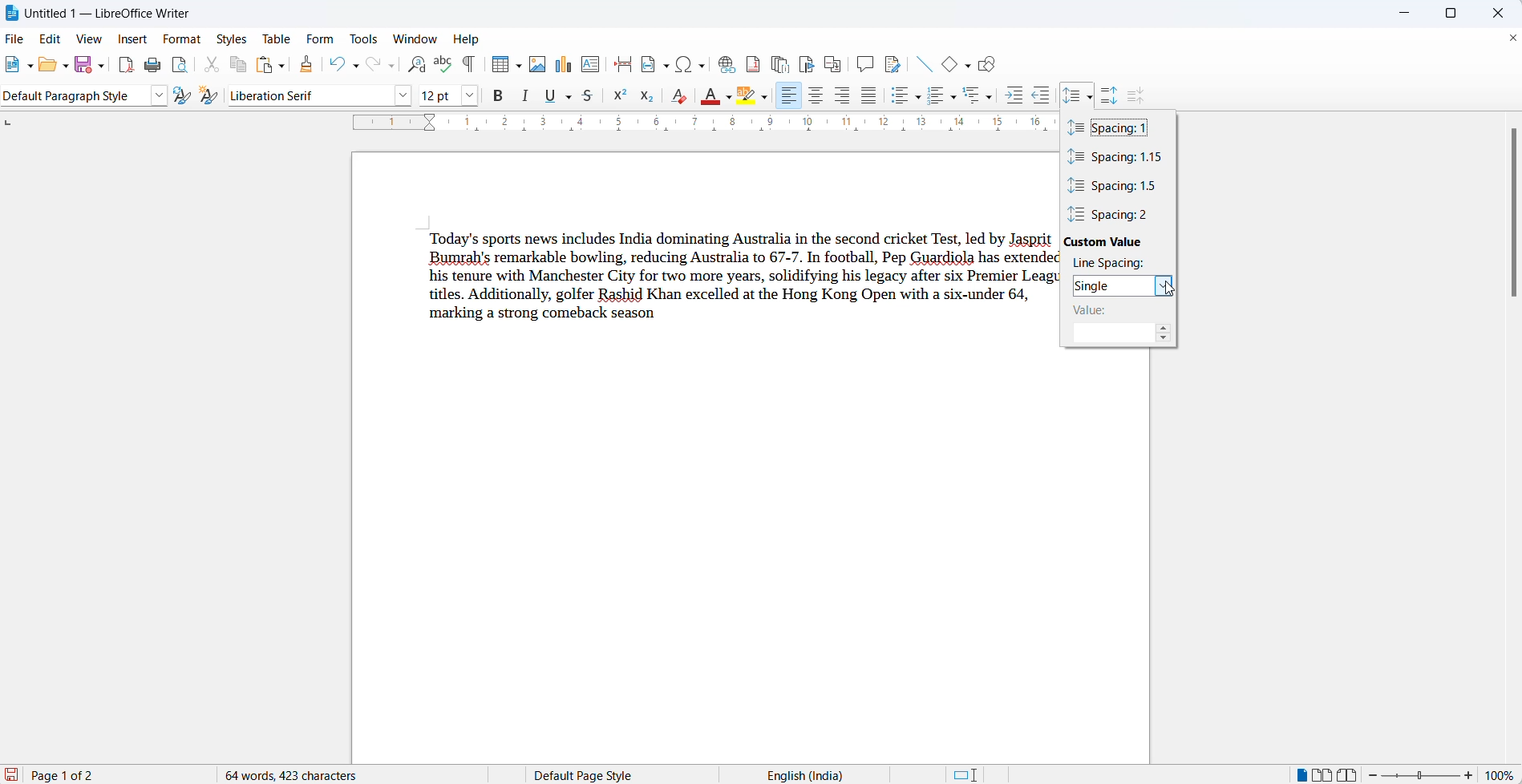  Describe the element at coordinates (553, 96) in the screenshot. I see `underline` at that location.